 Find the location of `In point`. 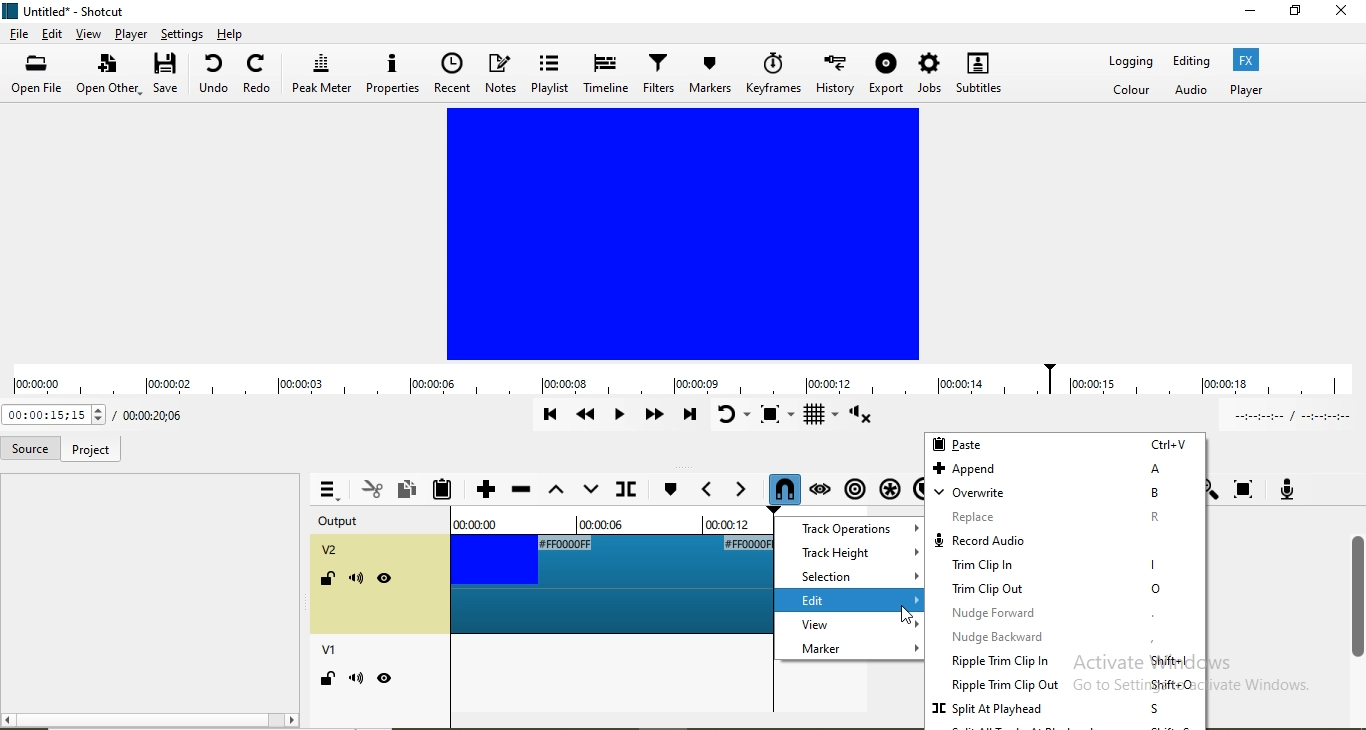

In point is located at coordinates (1287, 417).